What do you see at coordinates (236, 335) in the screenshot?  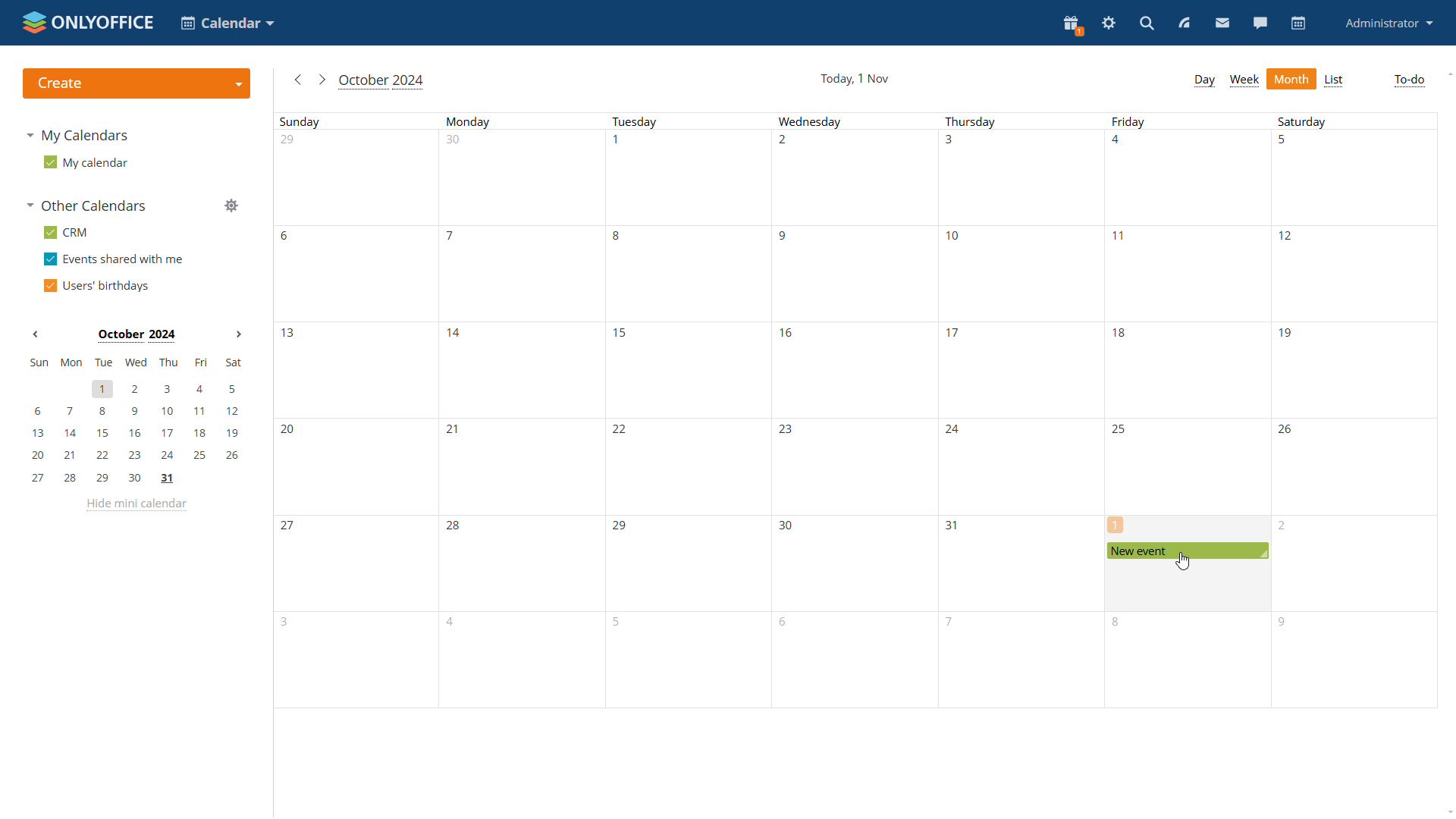 I see `Next month` at bounding box center [236, 335].